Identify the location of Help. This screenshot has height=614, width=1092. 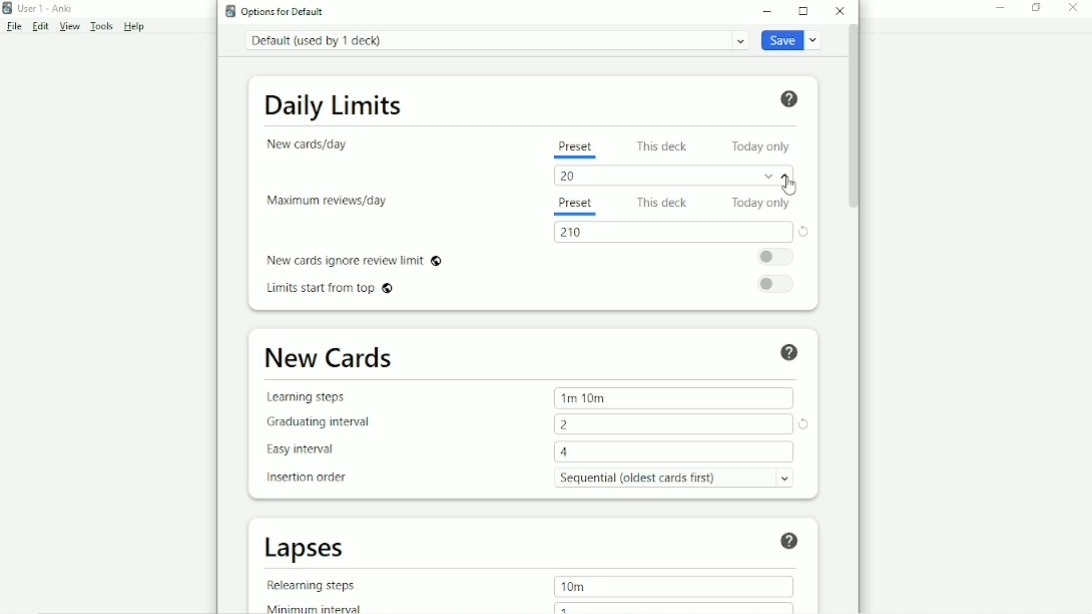
(792, 352).